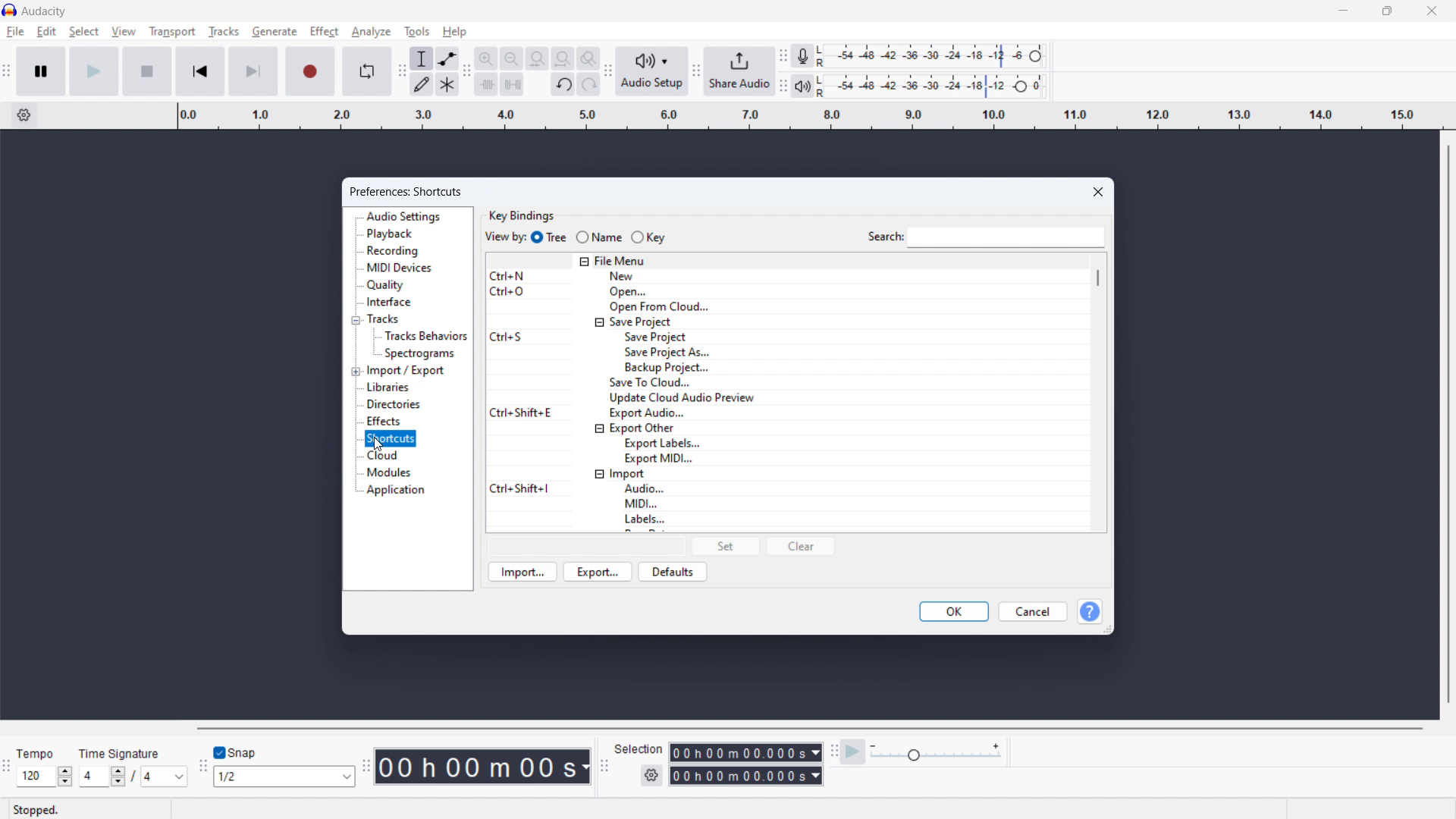 This screenshot has width=1456, height=819. I want to click on directories, so click(397, 404).